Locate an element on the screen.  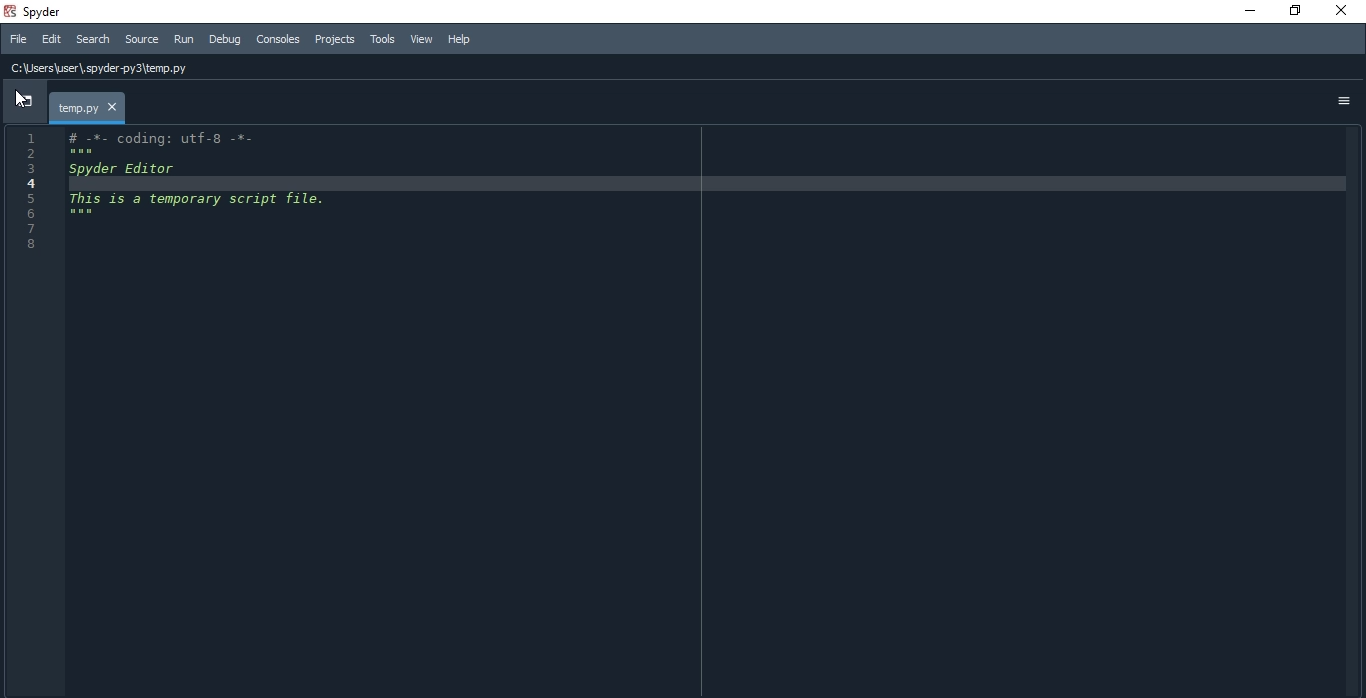
C:\Users\user\ spyder-py3\temp.py is located at coordinates (97, 68).